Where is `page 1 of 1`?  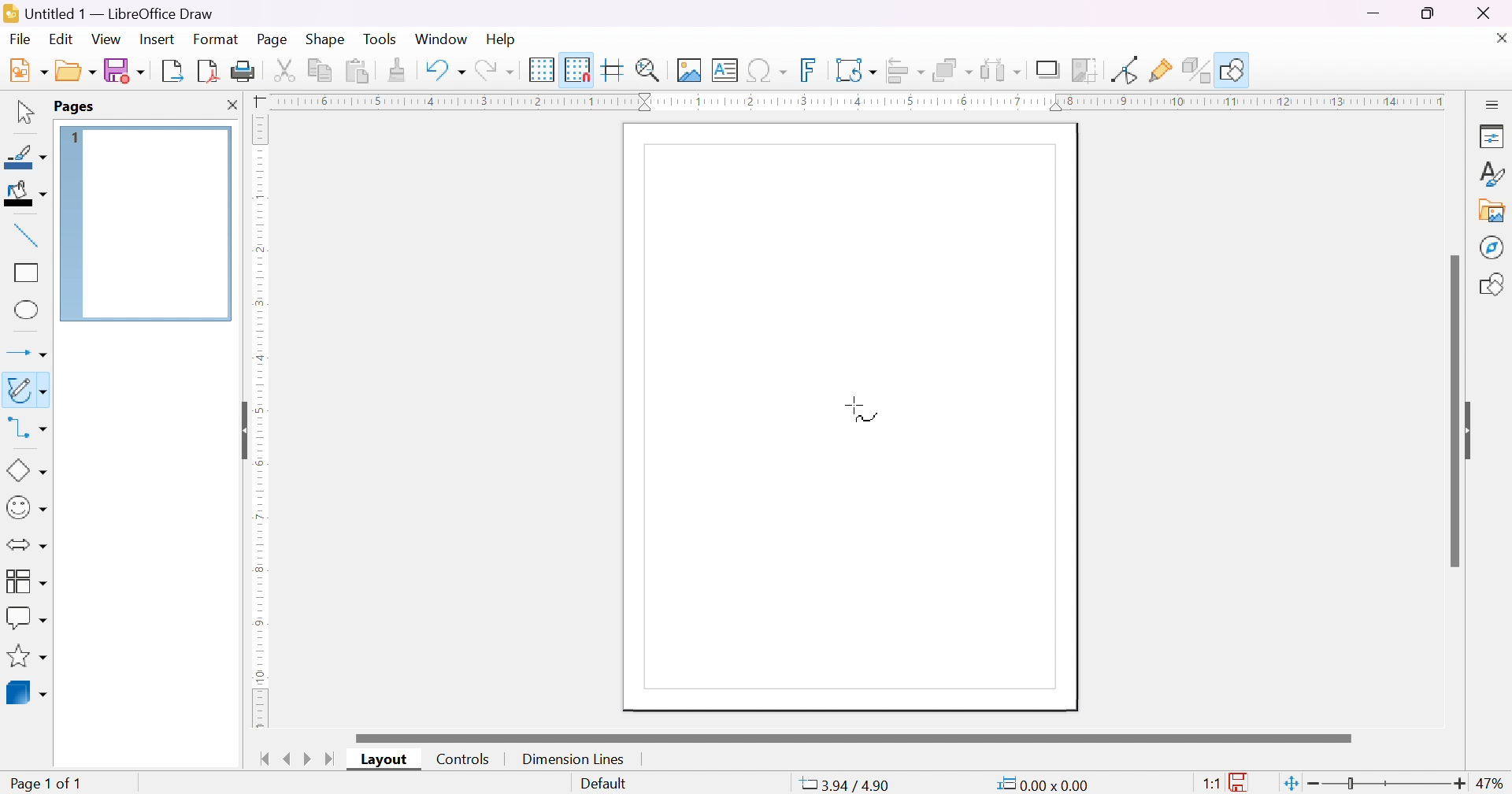
page 1 of 1 is located at coordinates (43, 783).